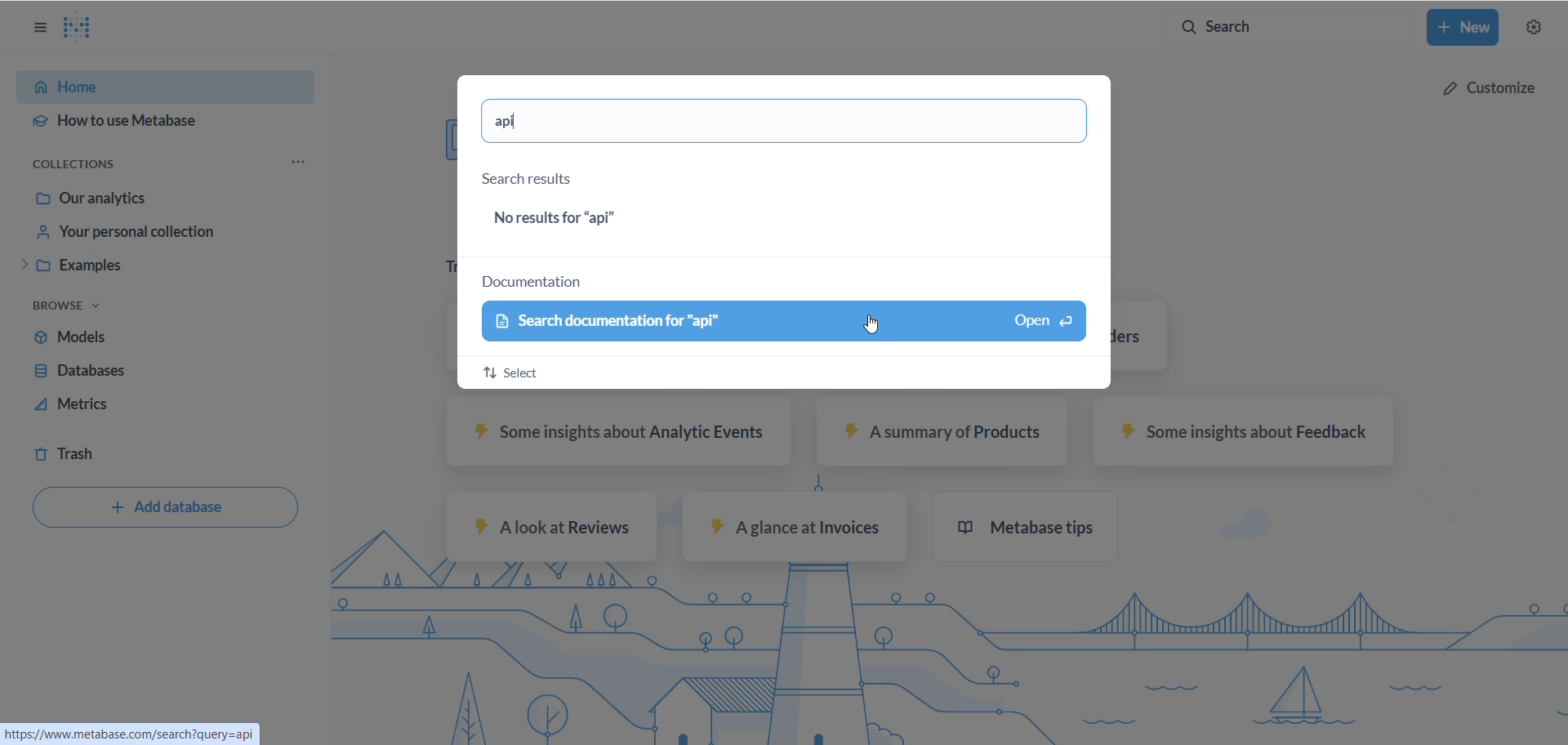 The width and height of the screenshot is (1568, 745). I want to click on databases, so click(100, 372).